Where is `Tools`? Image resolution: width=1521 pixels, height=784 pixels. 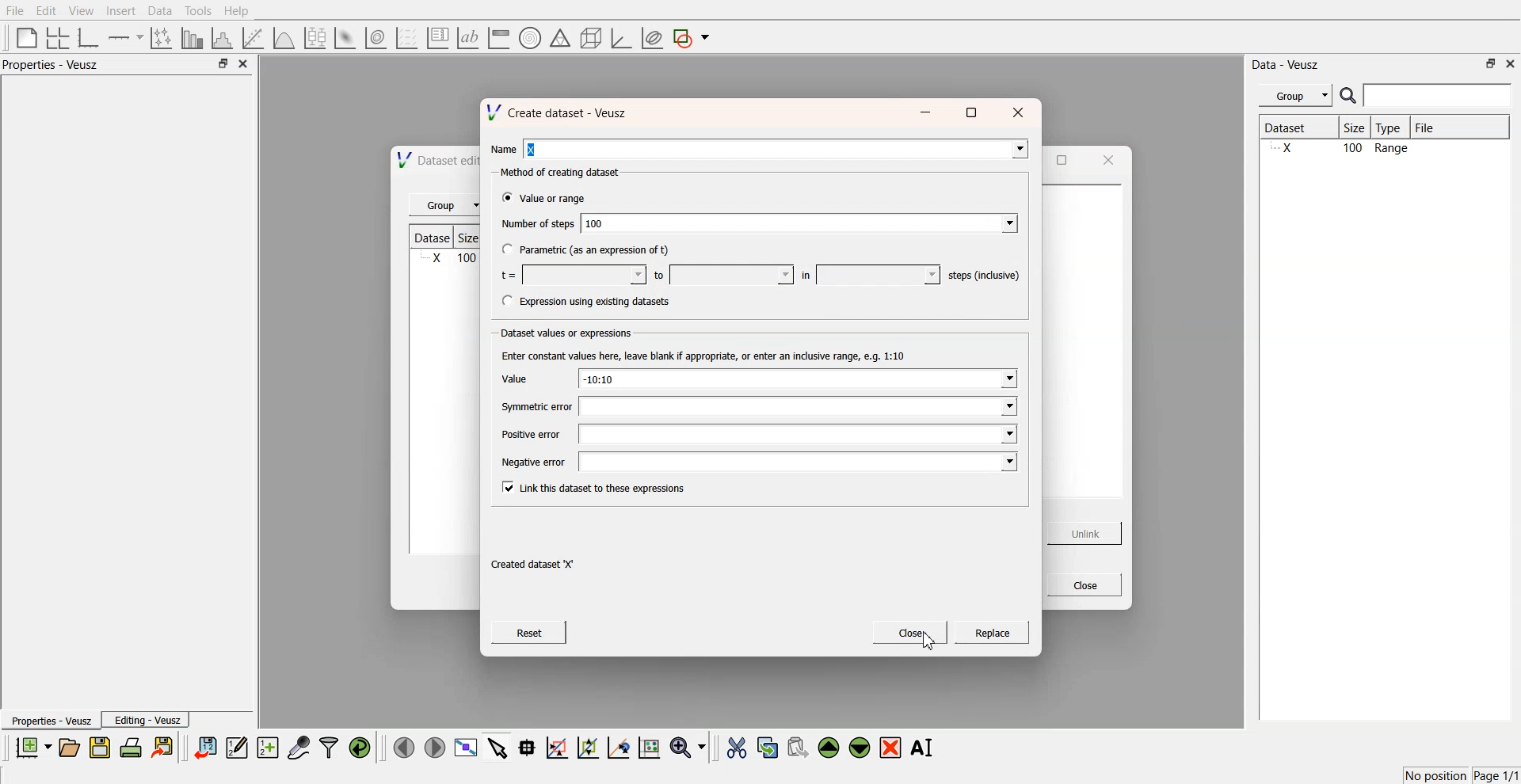 Tools is located at coordinates (196, 10).